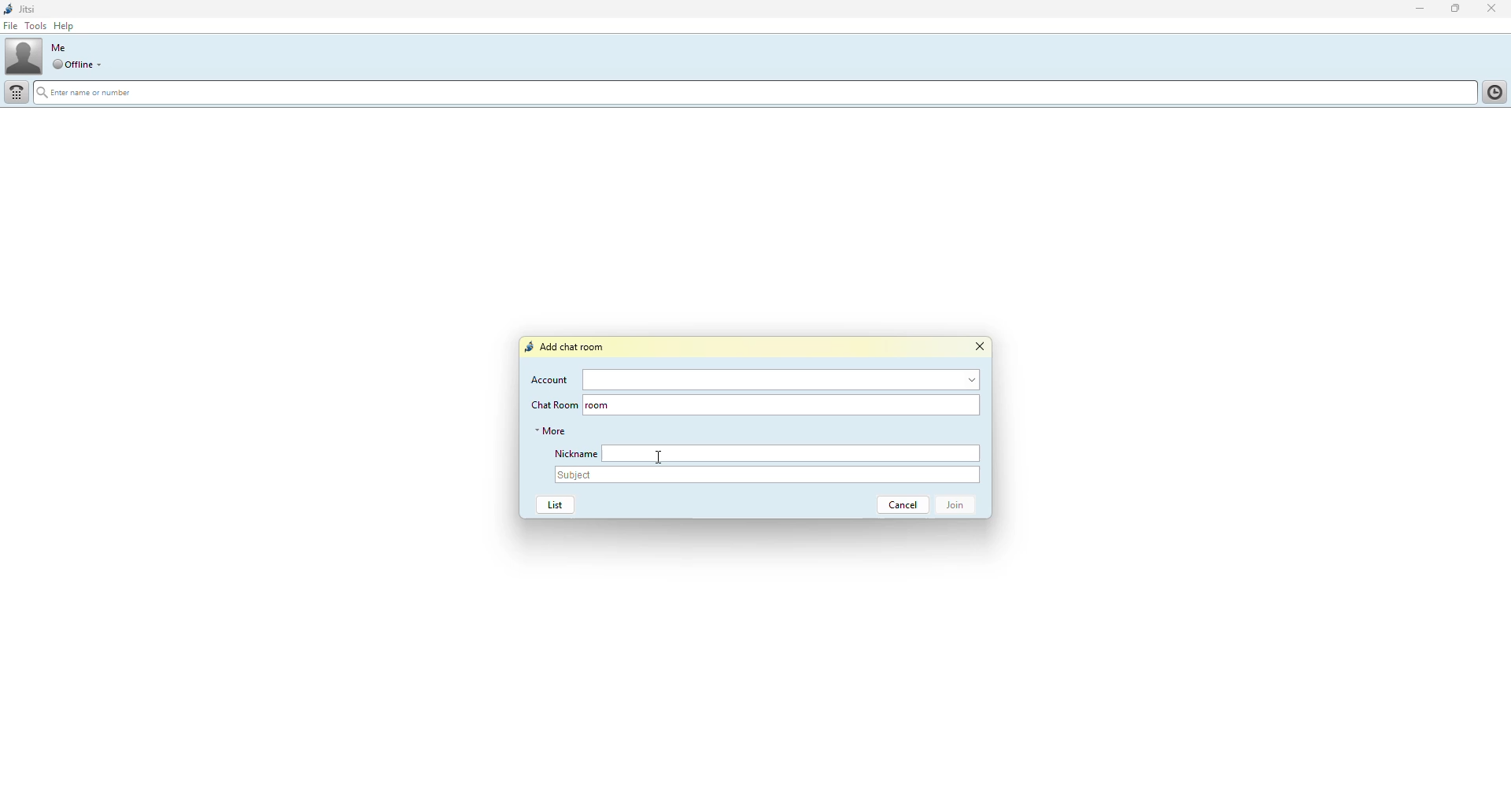 The image size is (1511, 812). Describe the element at coordinates (1454, 9) in the screenshot. I see `maximize` at that location.